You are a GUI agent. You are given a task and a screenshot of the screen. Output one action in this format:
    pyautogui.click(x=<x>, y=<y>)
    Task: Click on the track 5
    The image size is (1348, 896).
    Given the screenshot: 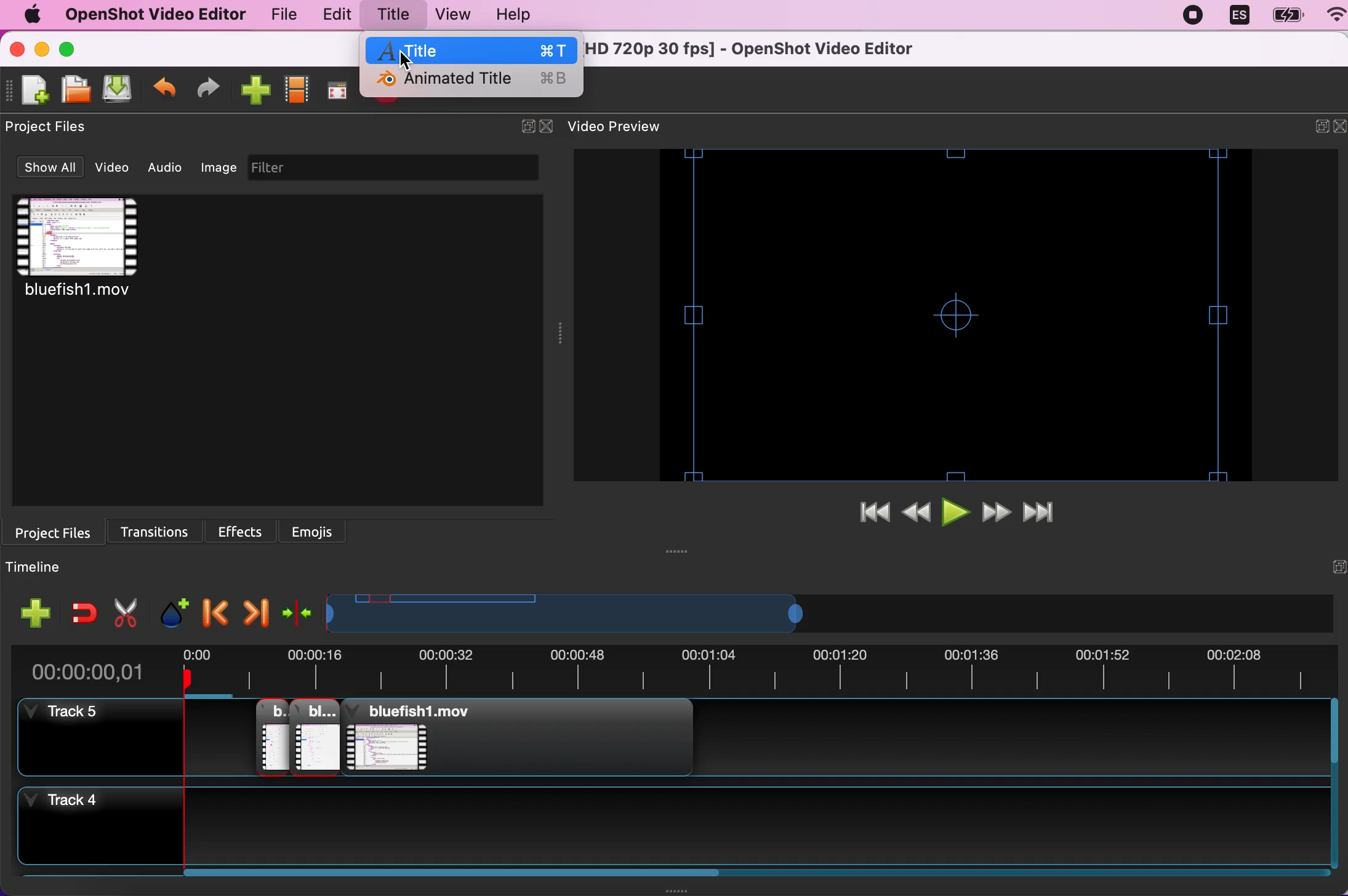 What is the action you would take?
    pyautogui.click(x=762, y=742)
    